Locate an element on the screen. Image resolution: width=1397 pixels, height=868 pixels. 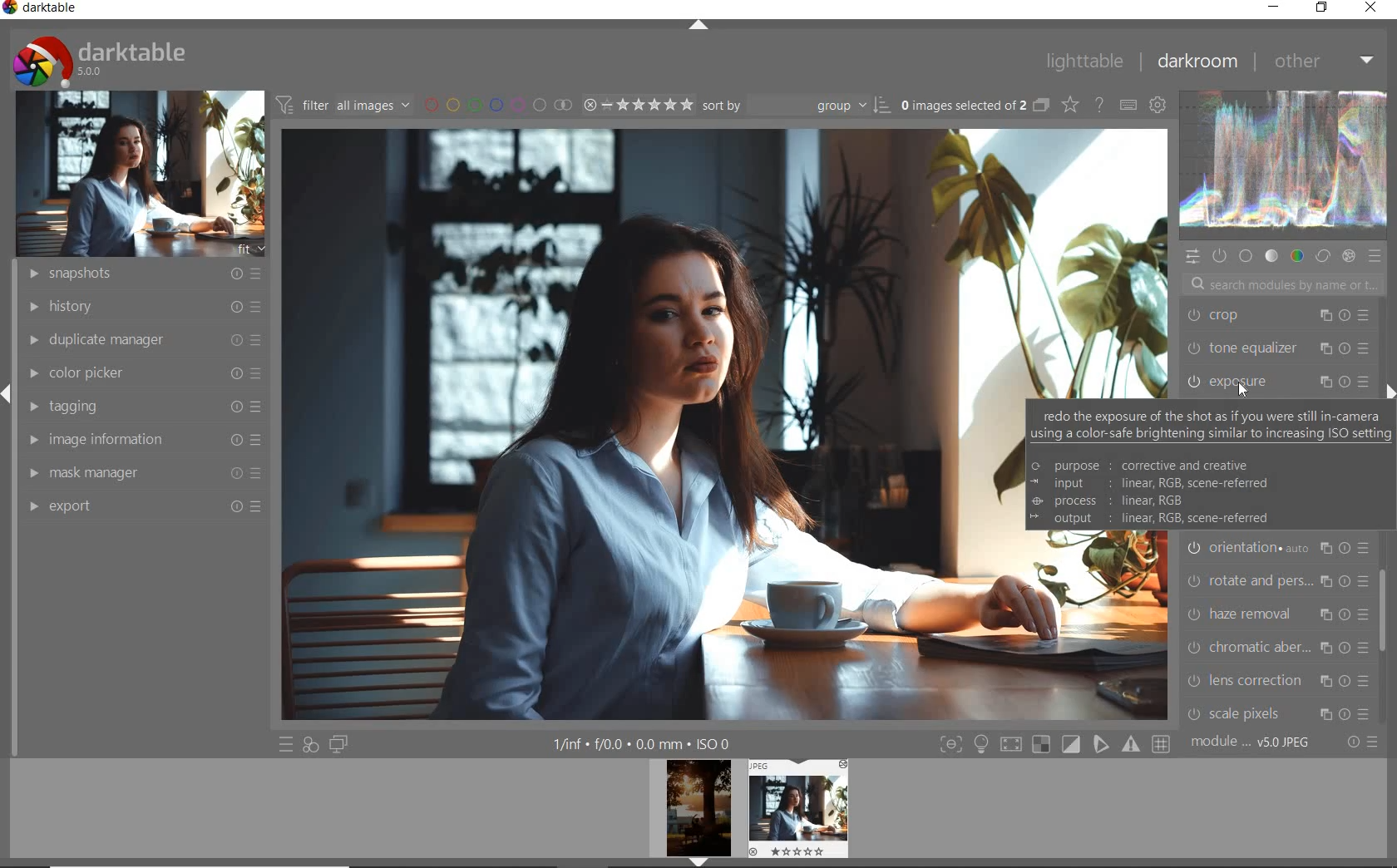
CORRECT is located at coordinates (1322, 254).